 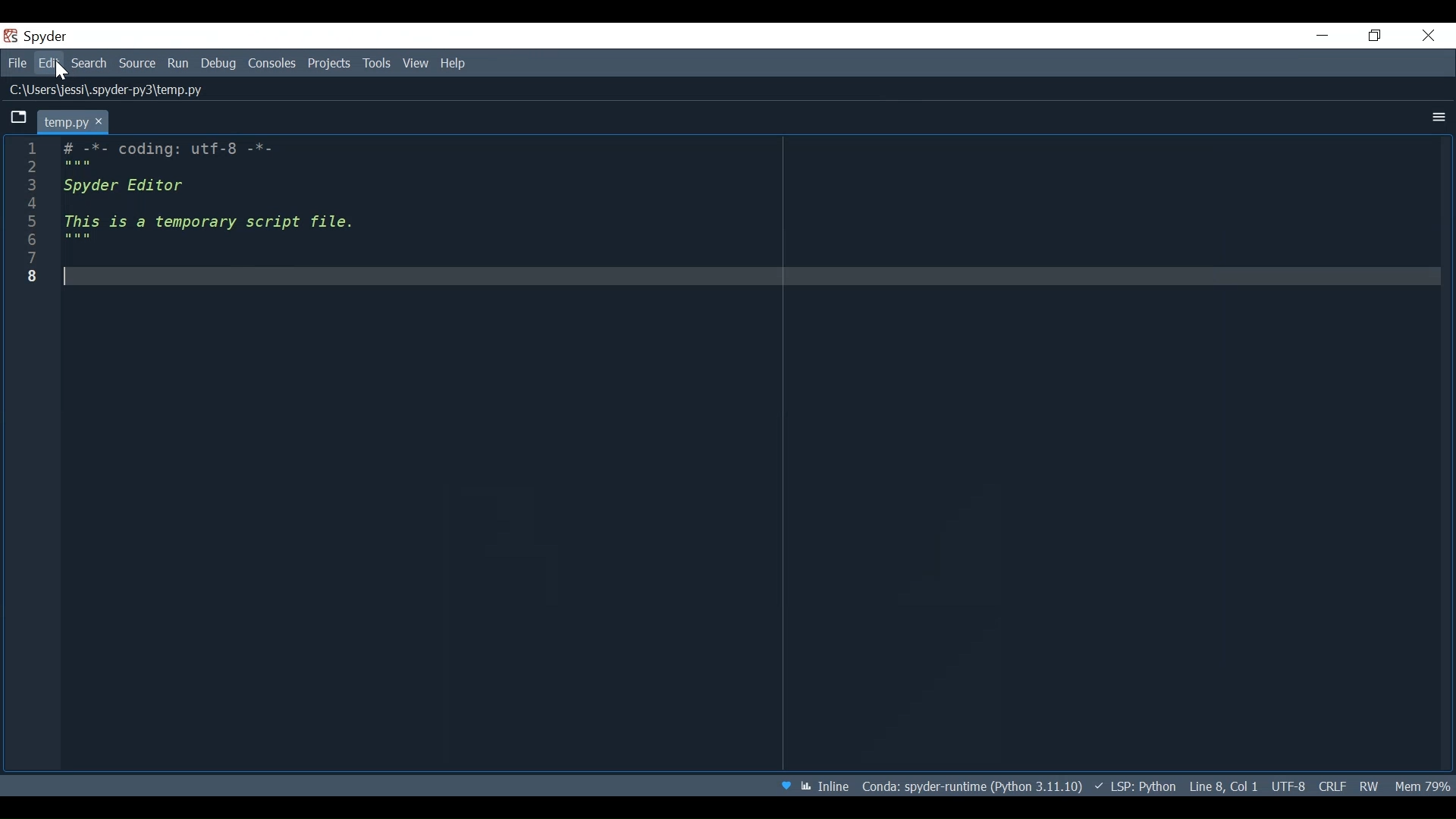 I want to click on Project, so click(x=330, y=64).